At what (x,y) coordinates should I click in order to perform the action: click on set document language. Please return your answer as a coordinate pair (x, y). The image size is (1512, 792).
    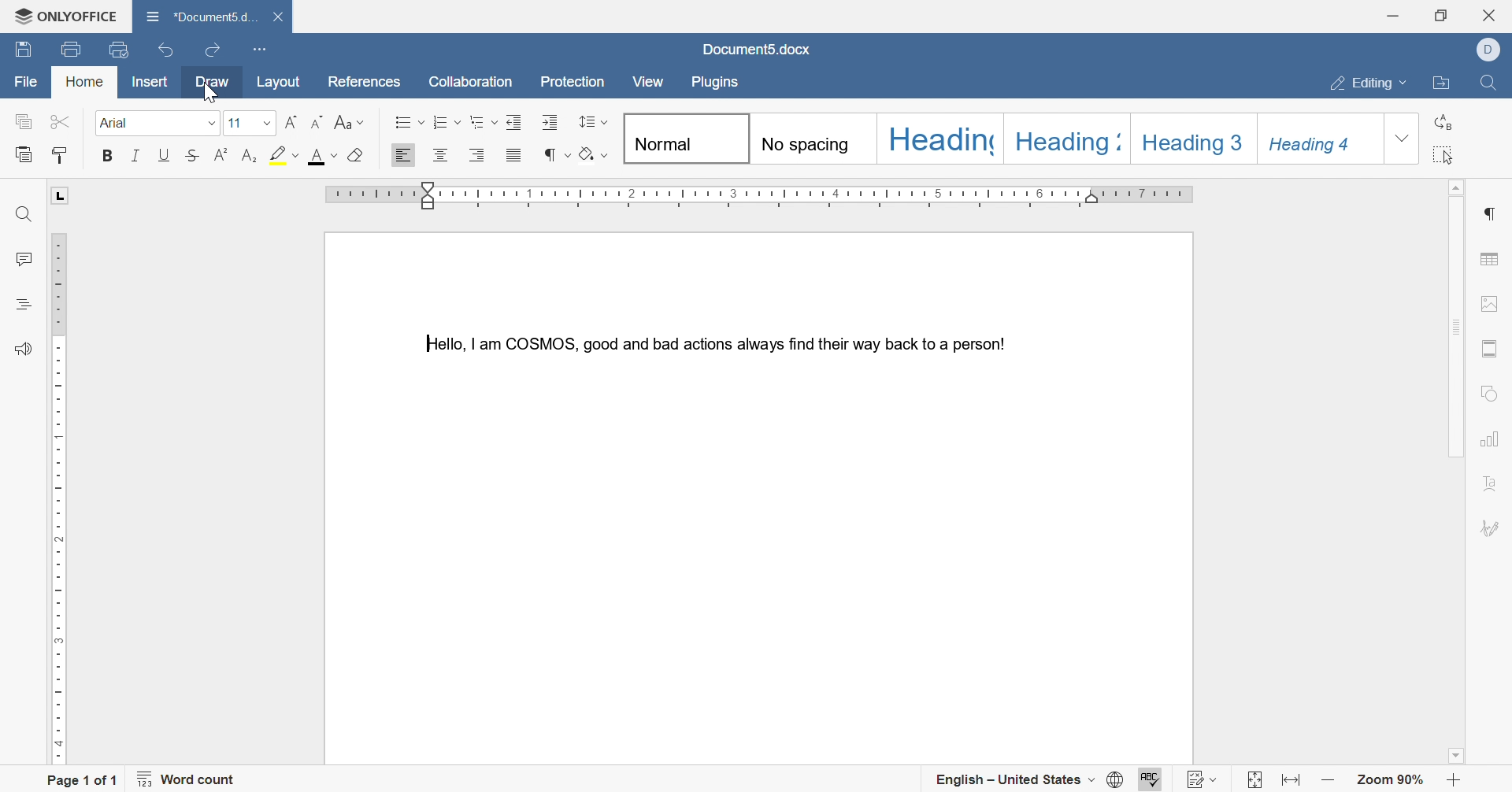
    Looking at the image, I should click on (1113, 781).